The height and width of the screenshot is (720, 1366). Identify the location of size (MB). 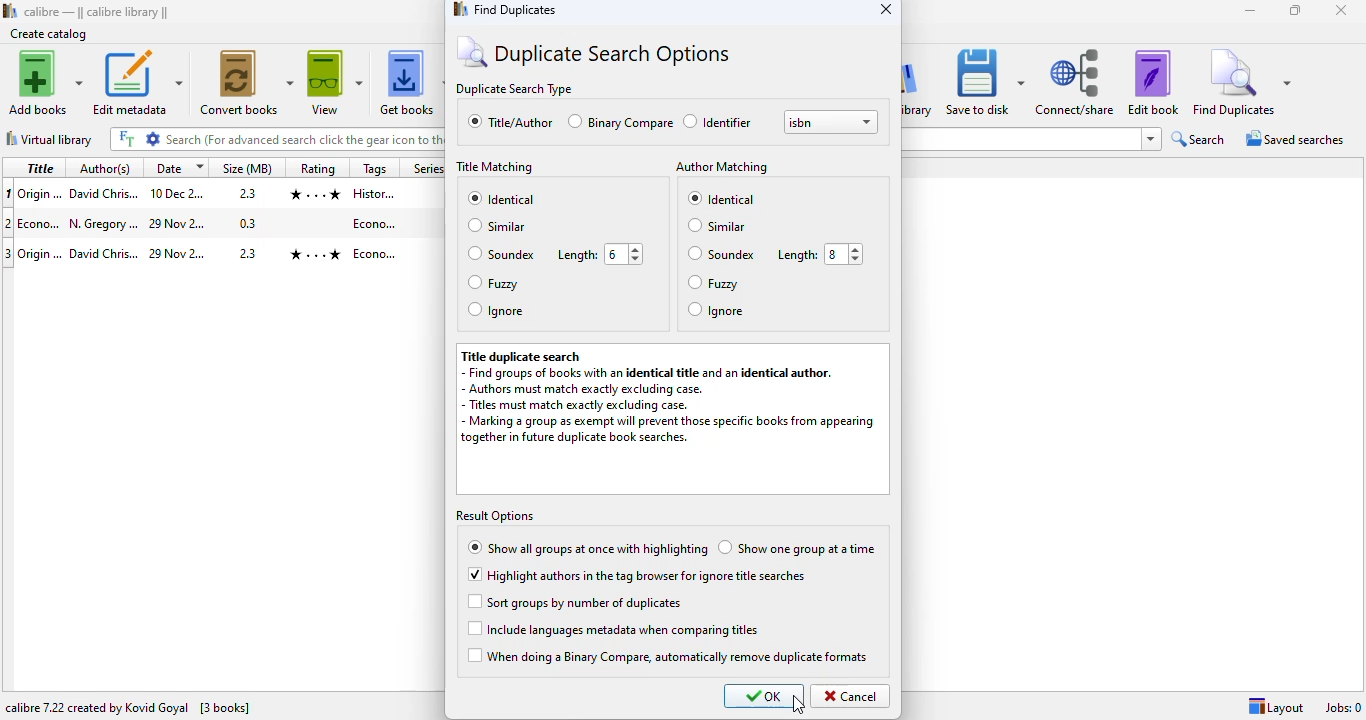
(248, 167).